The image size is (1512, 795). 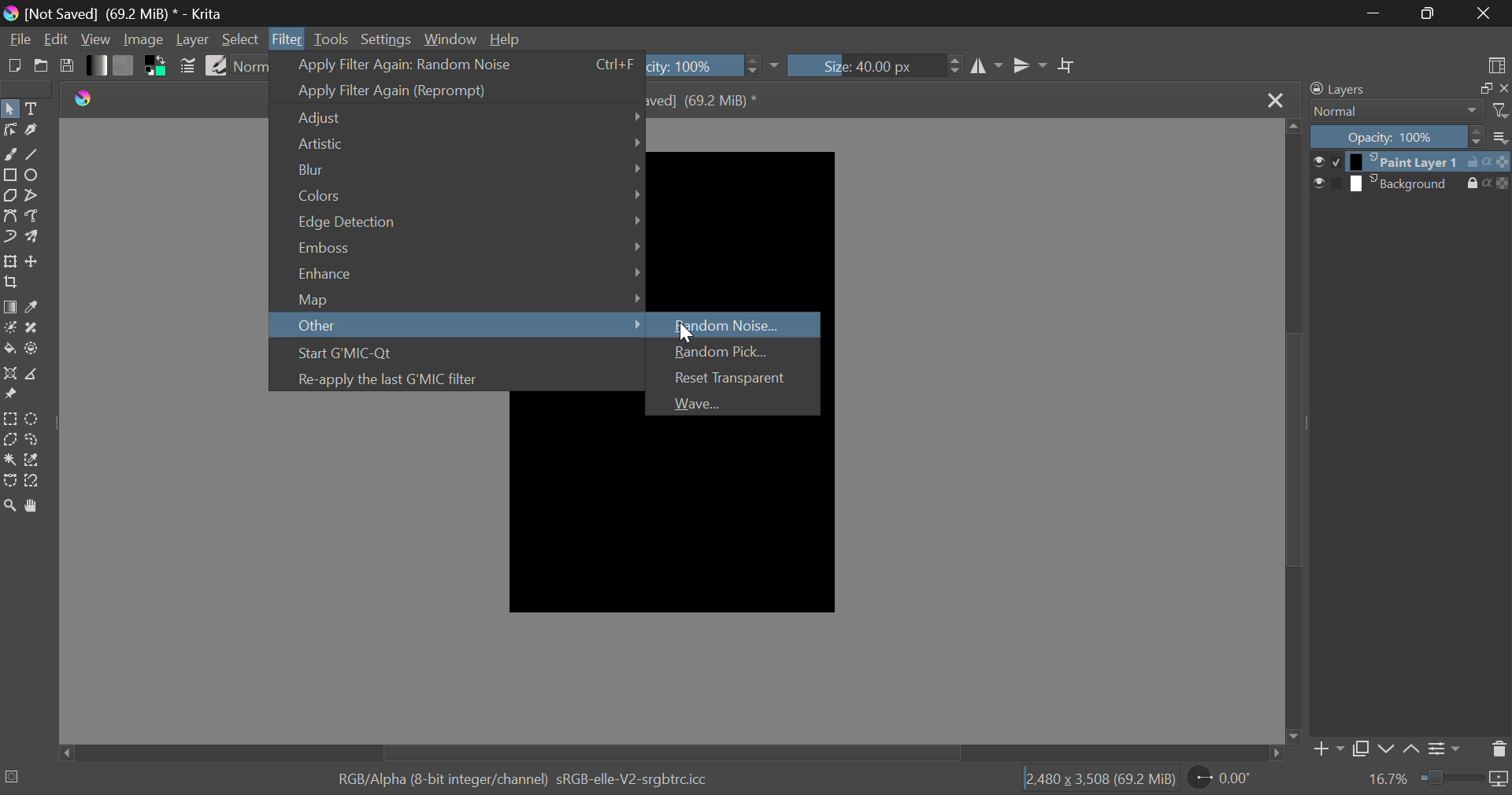 I want to click on Paint layer 1, so click(x=1401, y=162).